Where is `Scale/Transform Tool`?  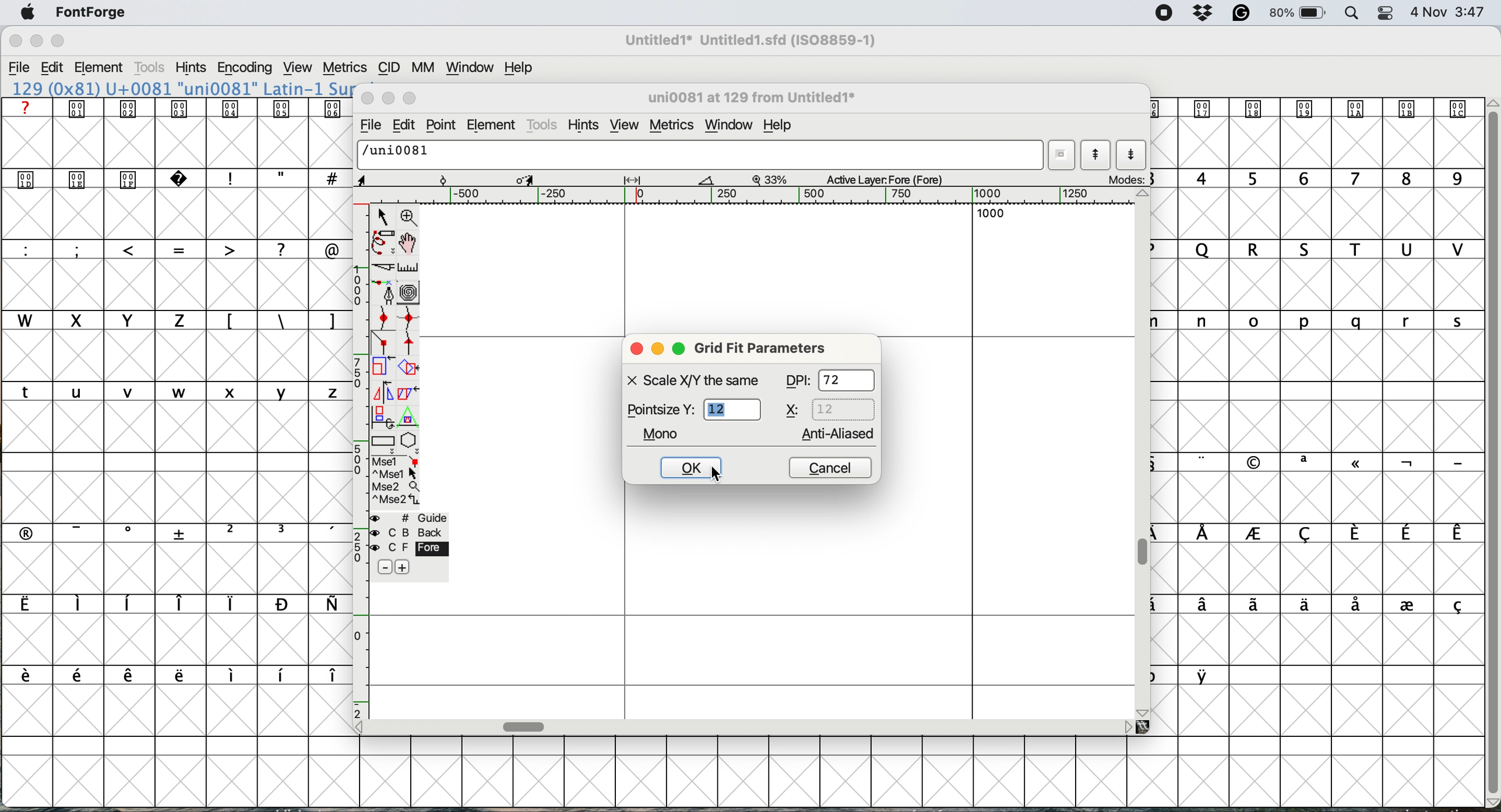 Scale/Transform Tool is located at coordinates (526, 180).